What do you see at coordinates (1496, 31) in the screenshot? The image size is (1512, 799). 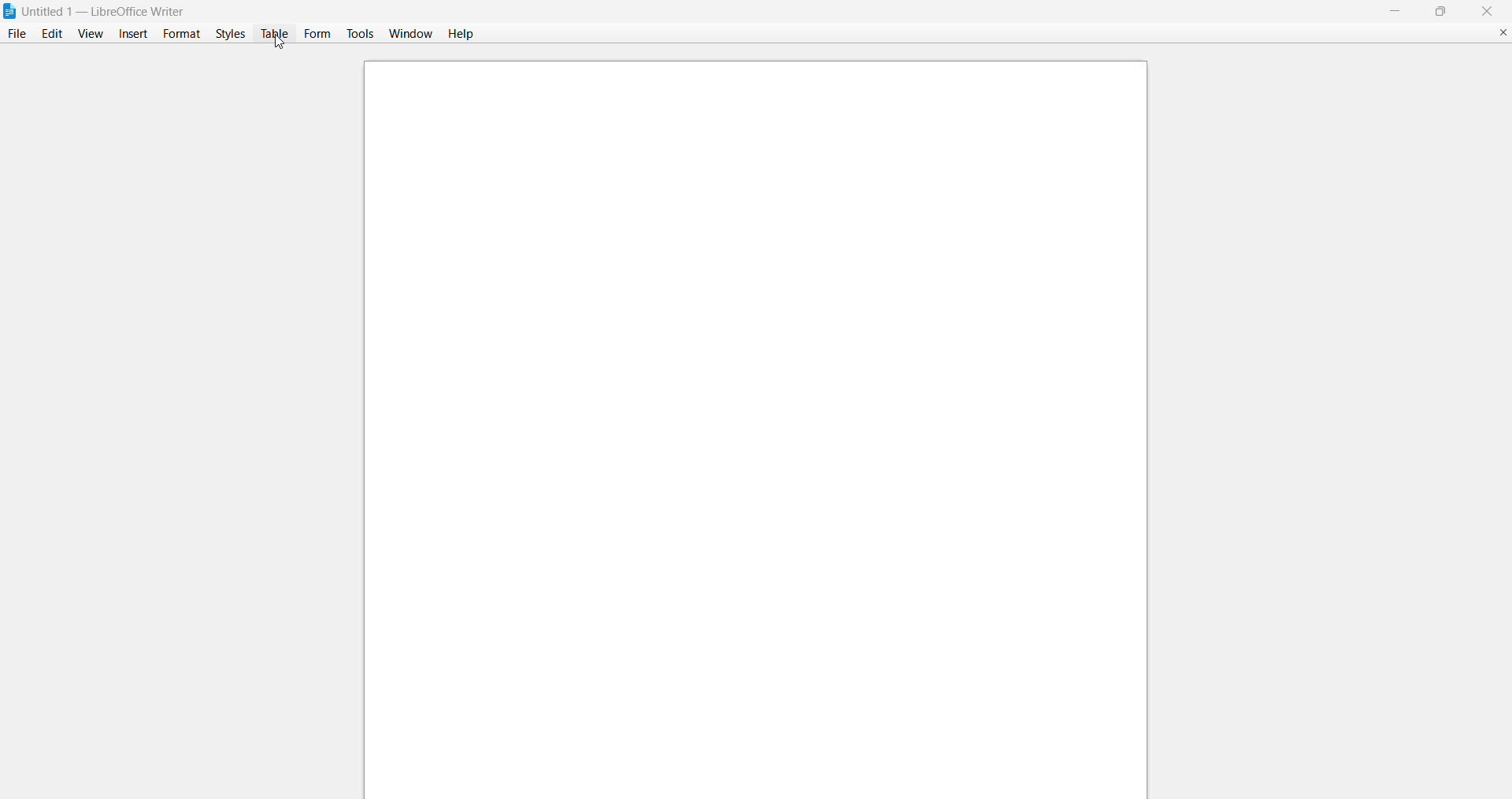 I see `close document` at bounding box center [1496, 31].